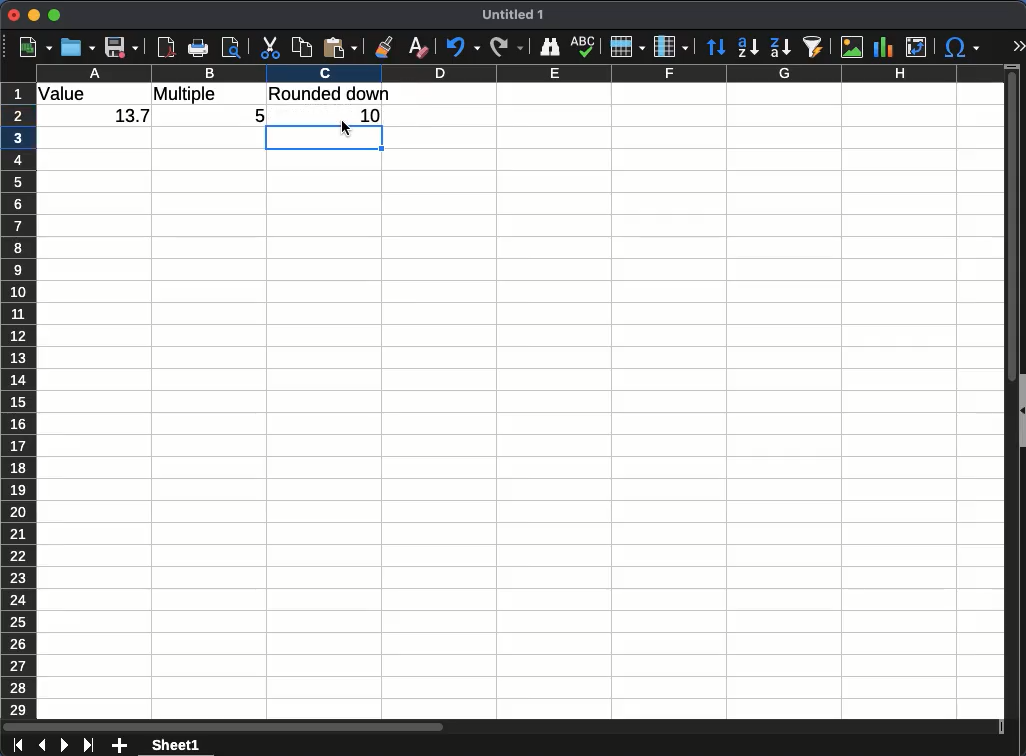 Image resolution: width=1026 pixels, height=756 pixels. Describe the element at coordinates (56, 15) in the screenshot. I see `maximize` at that location.